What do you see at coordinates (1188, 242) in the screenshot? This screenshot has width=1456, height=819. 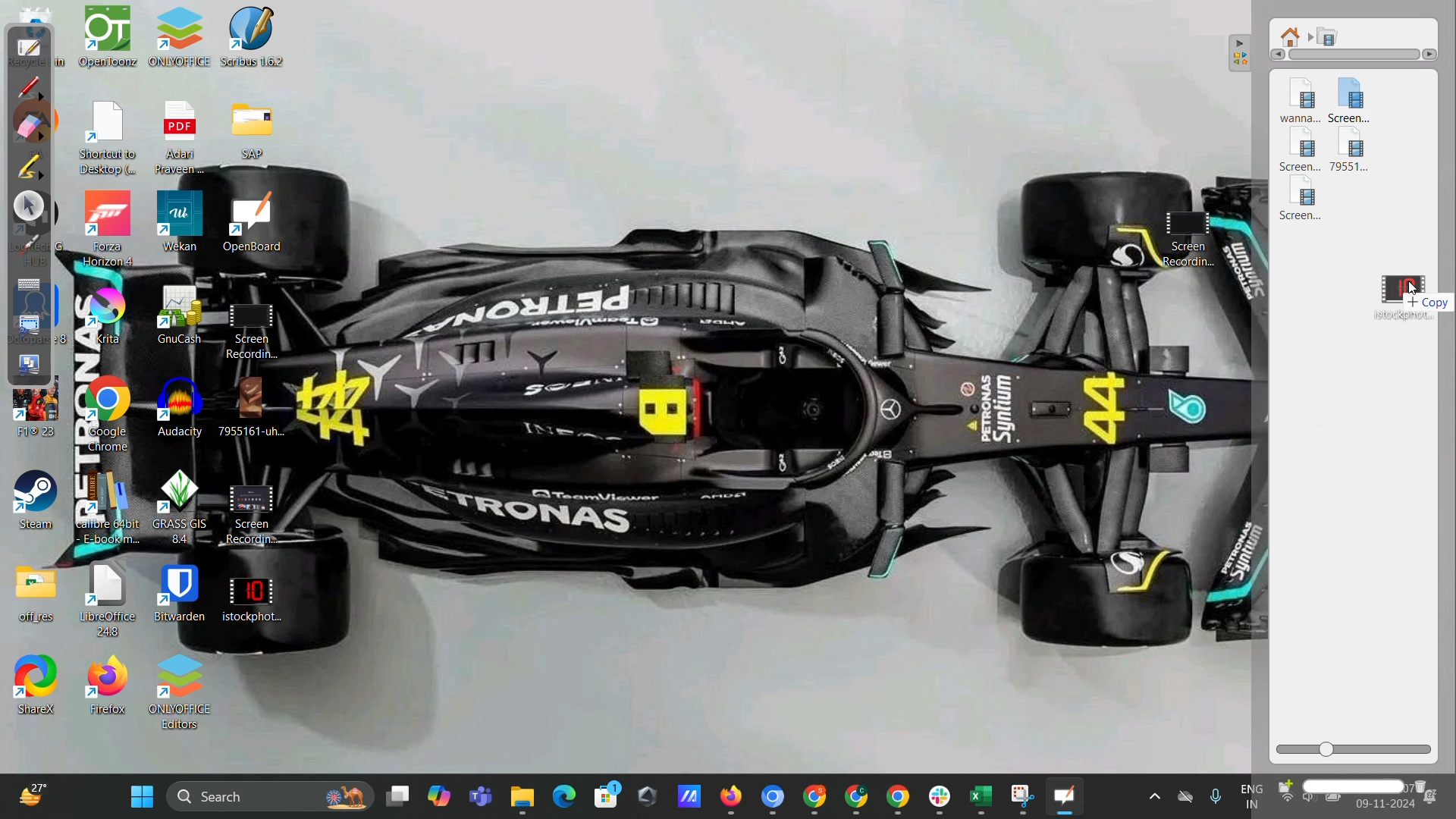 I see `Screen recording` at bounding box center [1188, 242].